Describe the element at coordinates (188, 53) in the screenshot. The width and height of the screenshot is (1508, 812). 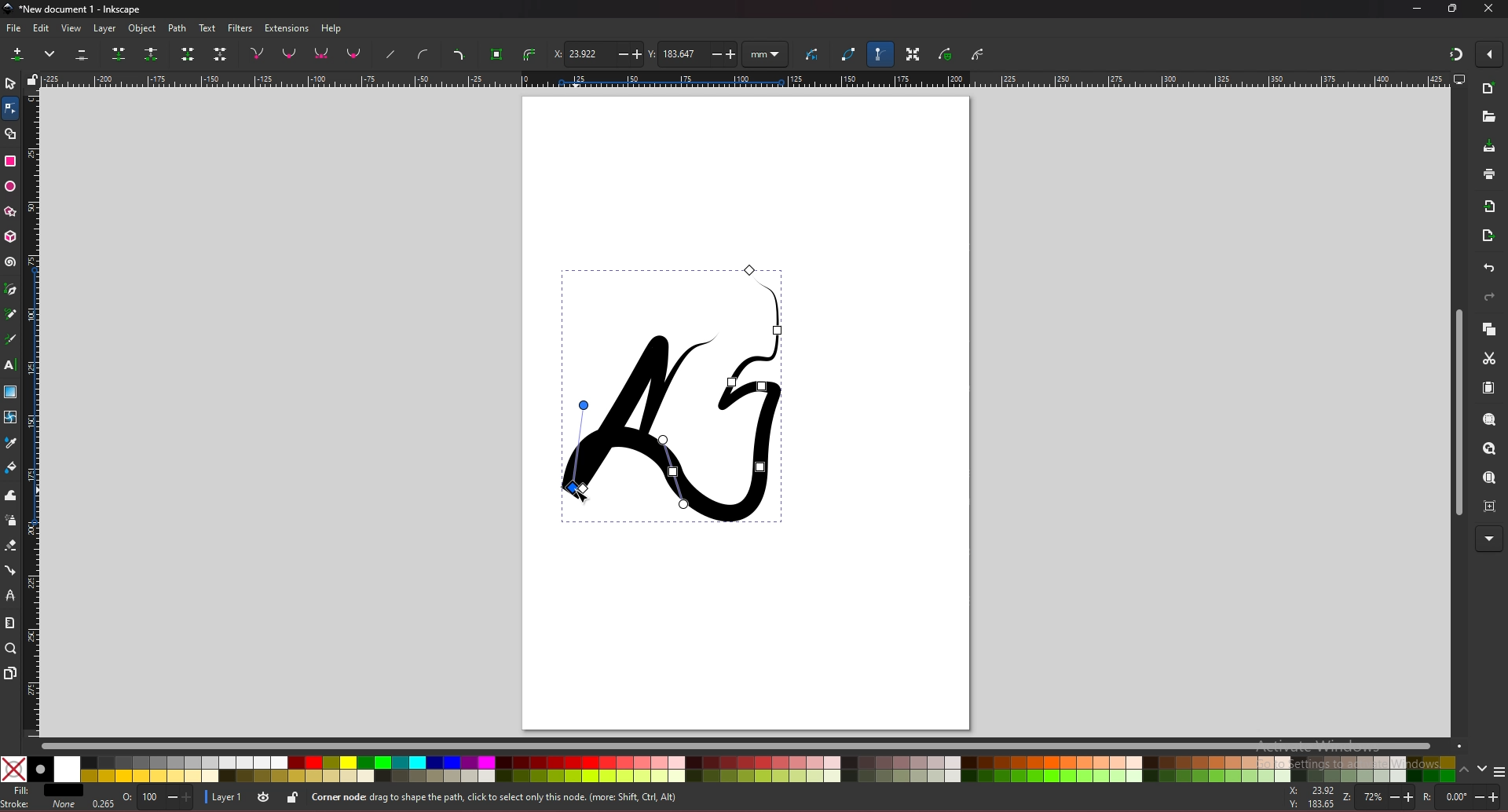
I see `join selected endnode` at that location.